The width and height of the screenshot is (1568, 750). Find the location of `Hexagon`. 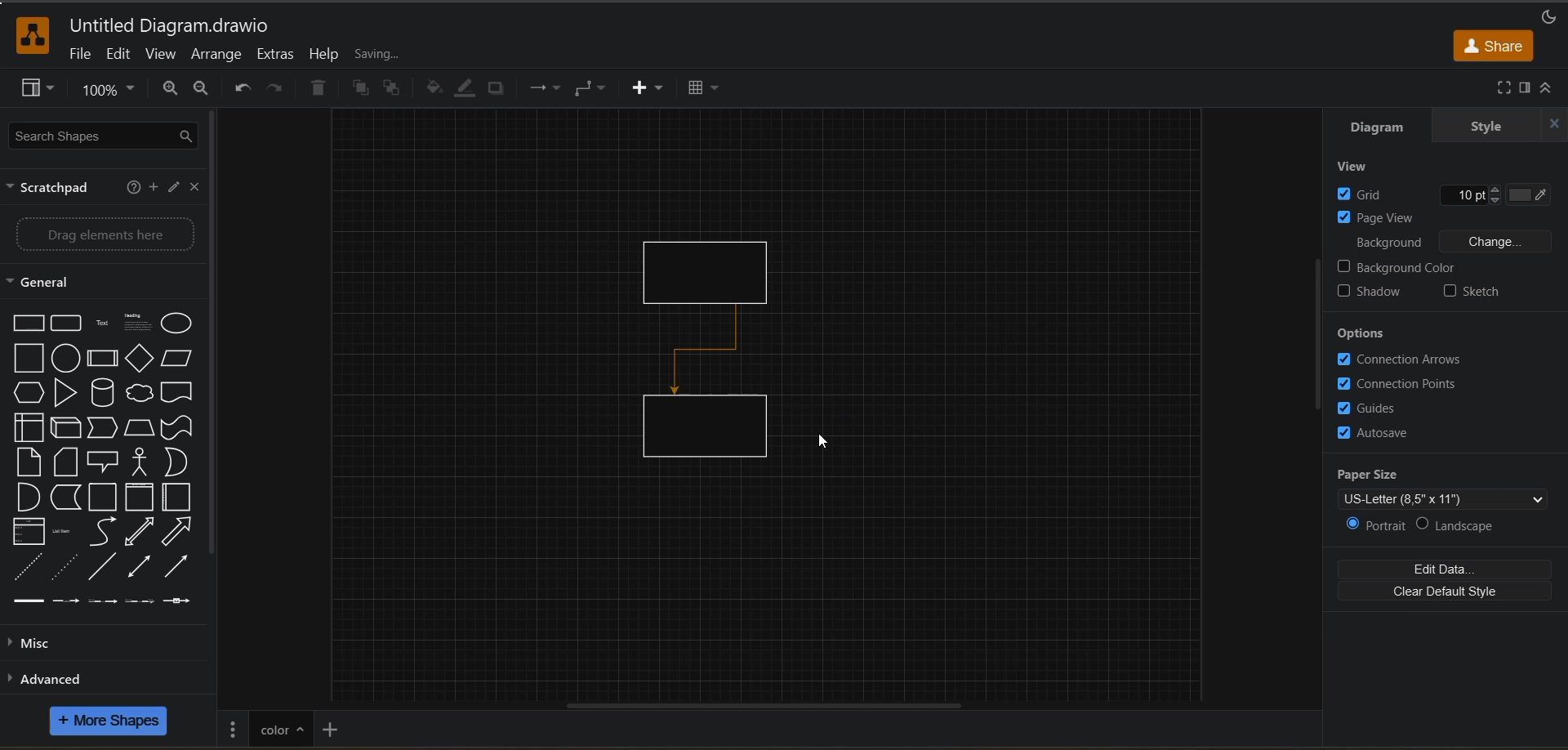

Hexagon is located at coordinates (28, 393).